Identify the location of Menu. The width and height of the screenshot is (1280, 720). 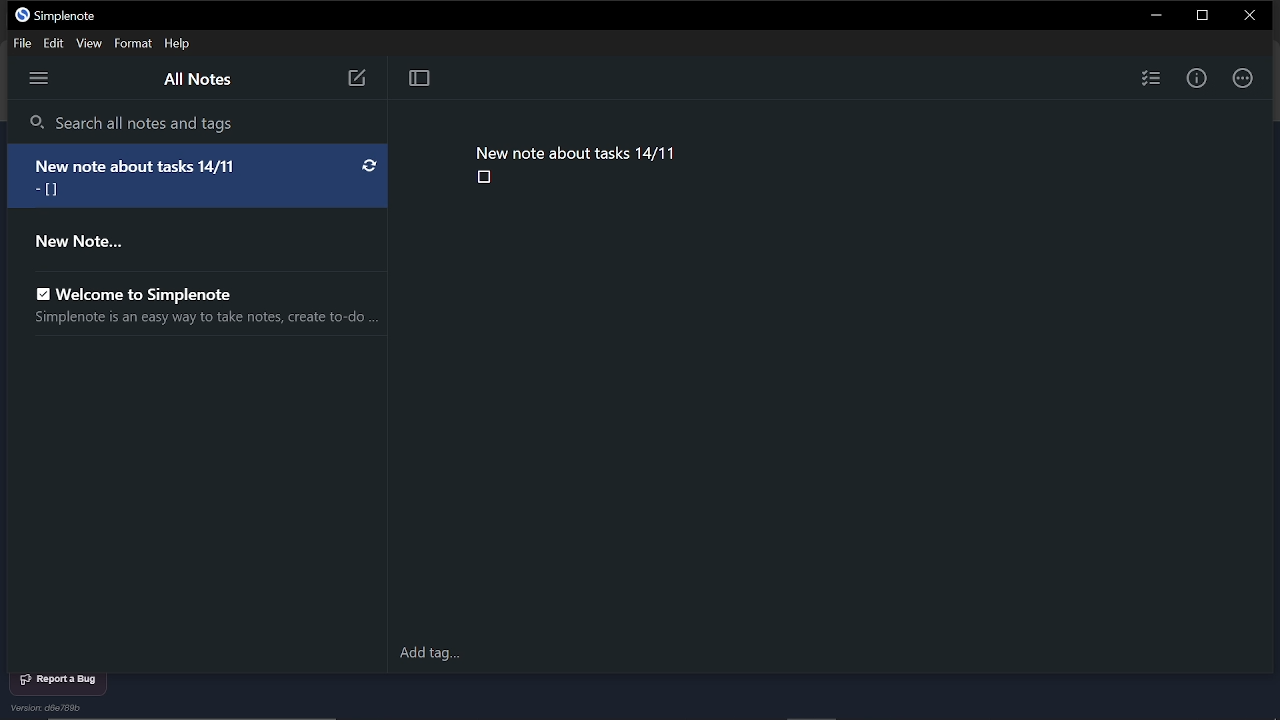
(44, 80).